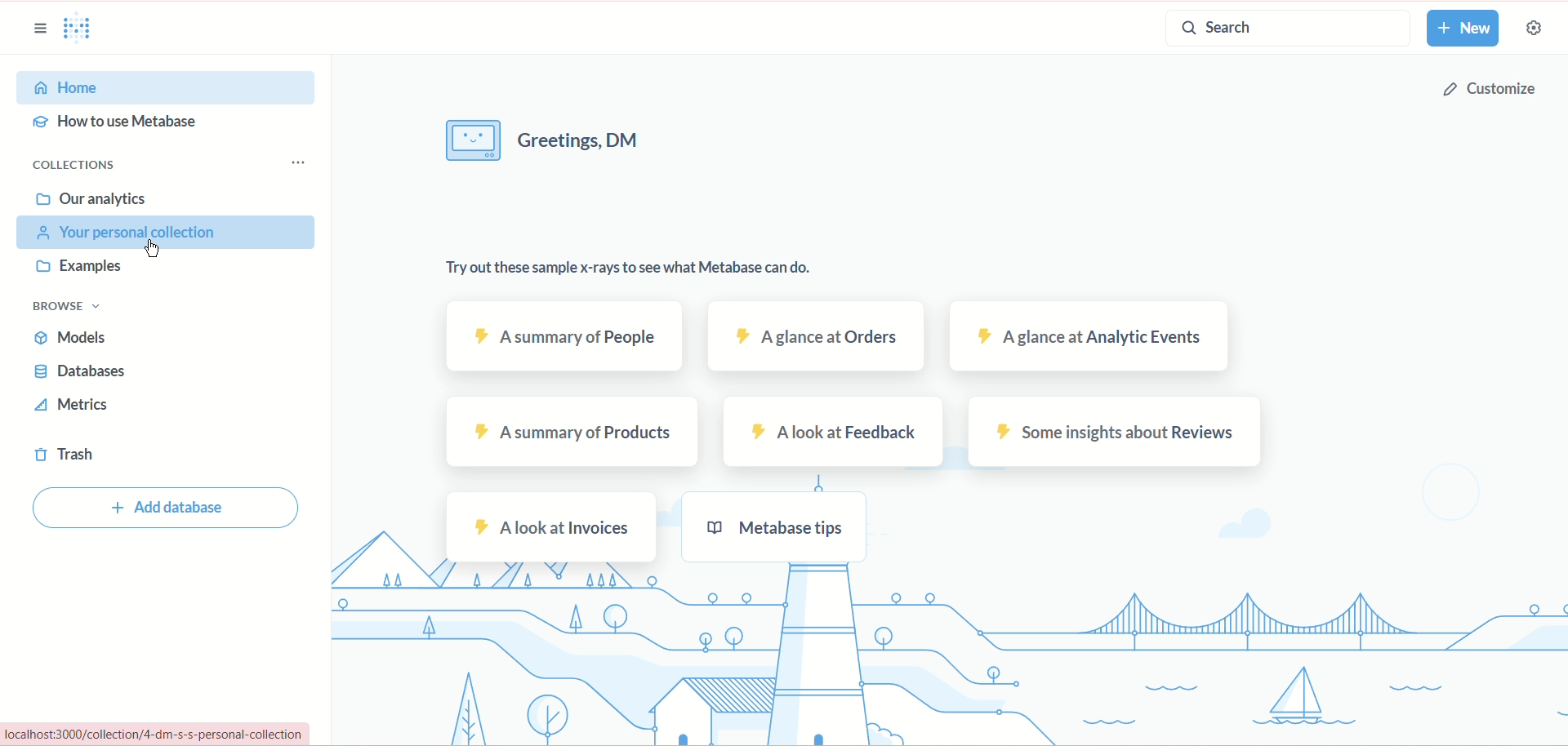 The width and height of the screenshot is (1568, 746). I want to click on examples, so click(82, 265).